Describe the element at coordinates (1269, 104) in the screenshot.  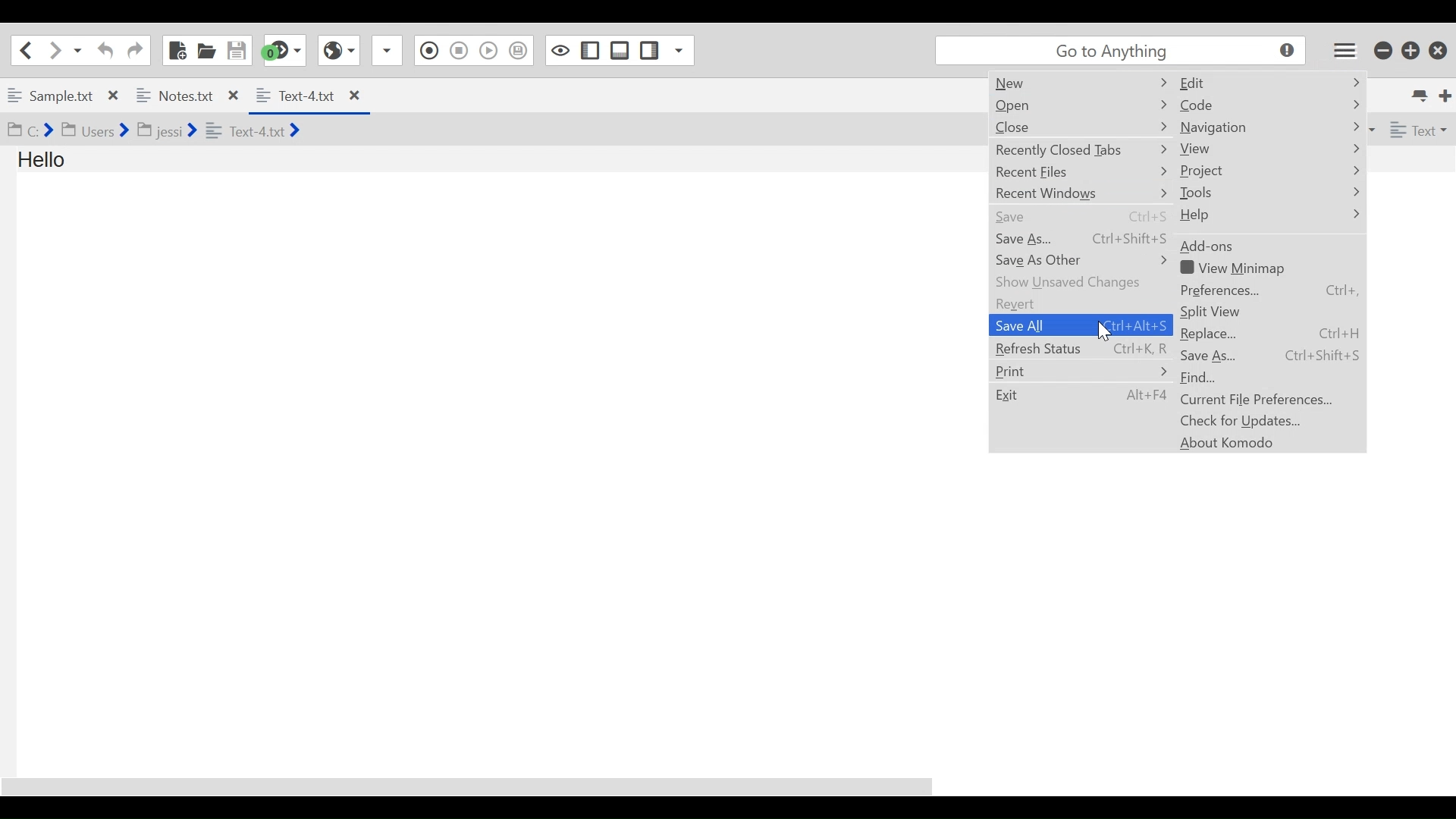
I see `Code` at that location.